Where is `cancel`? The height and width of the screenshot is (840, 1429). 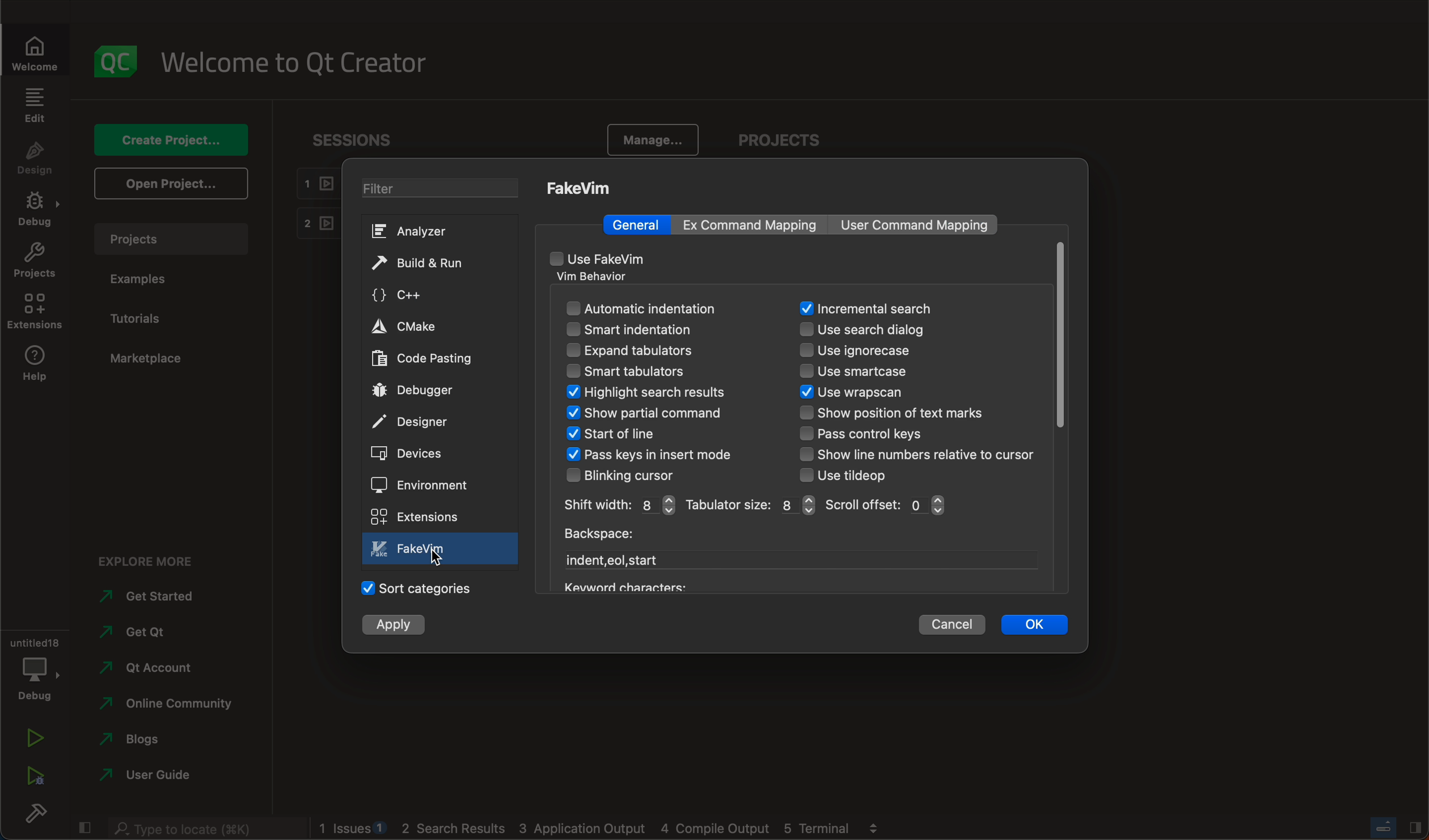
cancel is located at coordinates (952, 625).